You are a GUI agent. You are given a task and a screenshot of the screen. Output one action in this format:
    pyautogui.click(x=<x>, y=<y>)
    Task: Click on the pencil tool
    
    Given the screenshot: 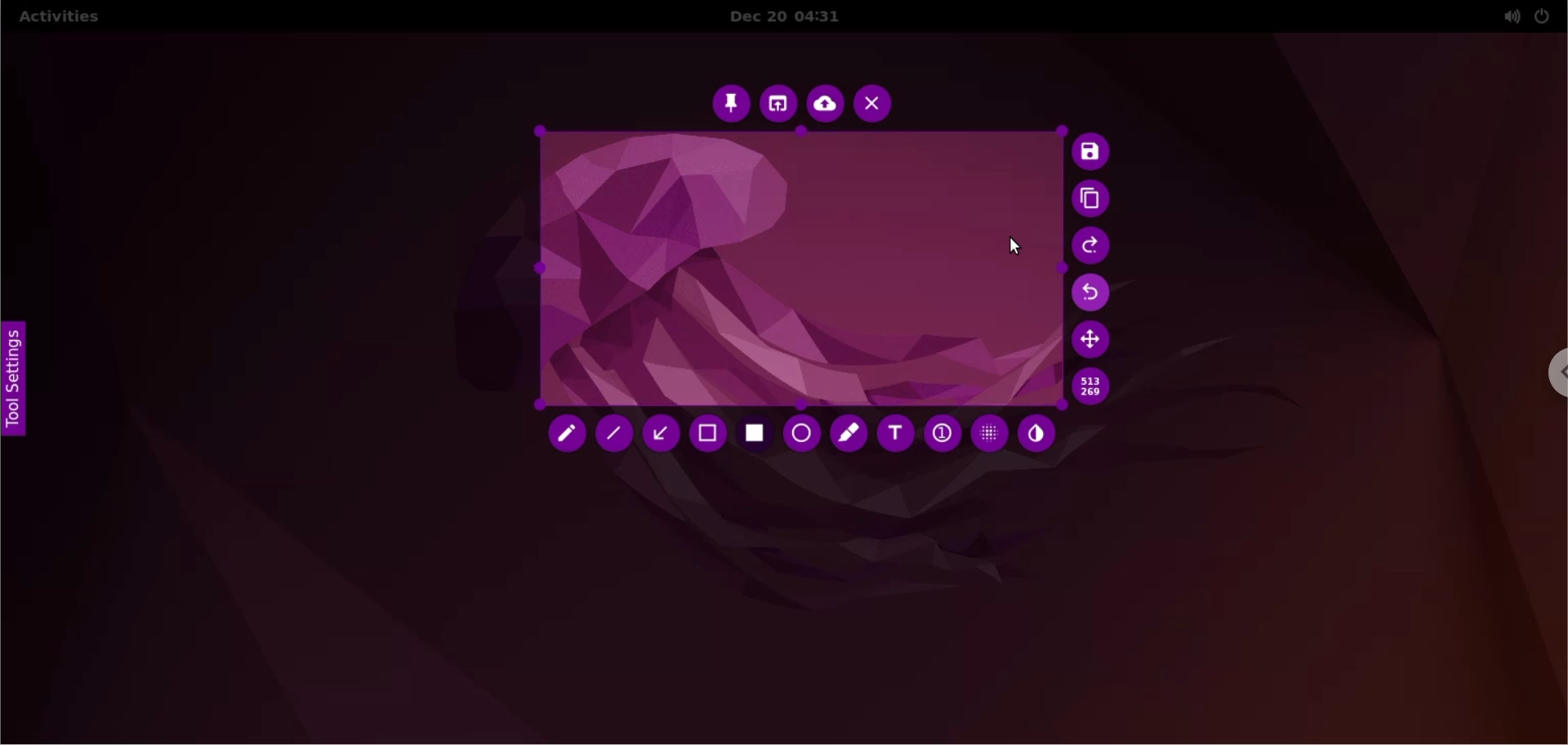 What is the action you would take?
    pyautogui.click(x=561, y=435)
    